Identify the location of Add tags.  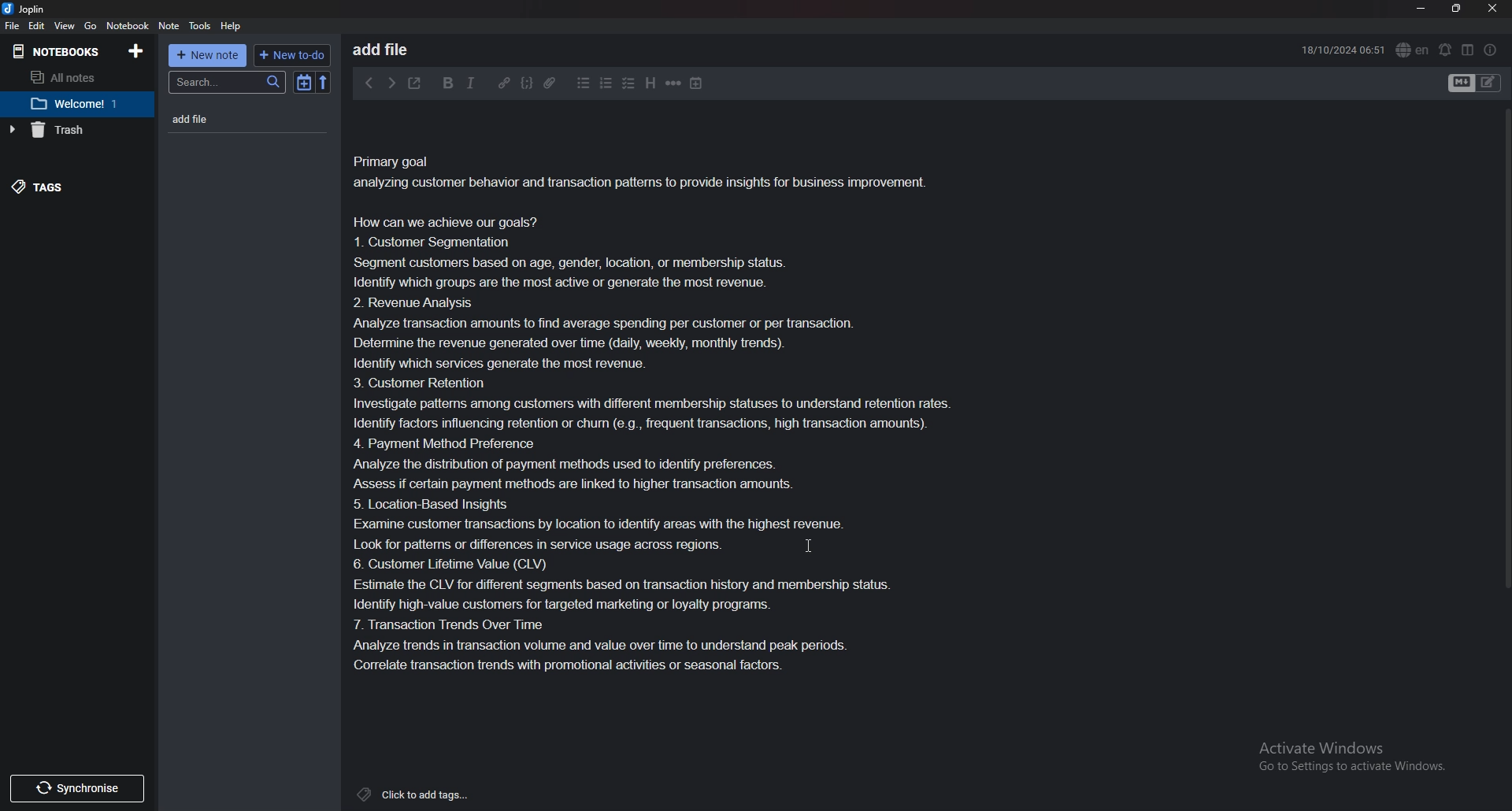
(416, 794).